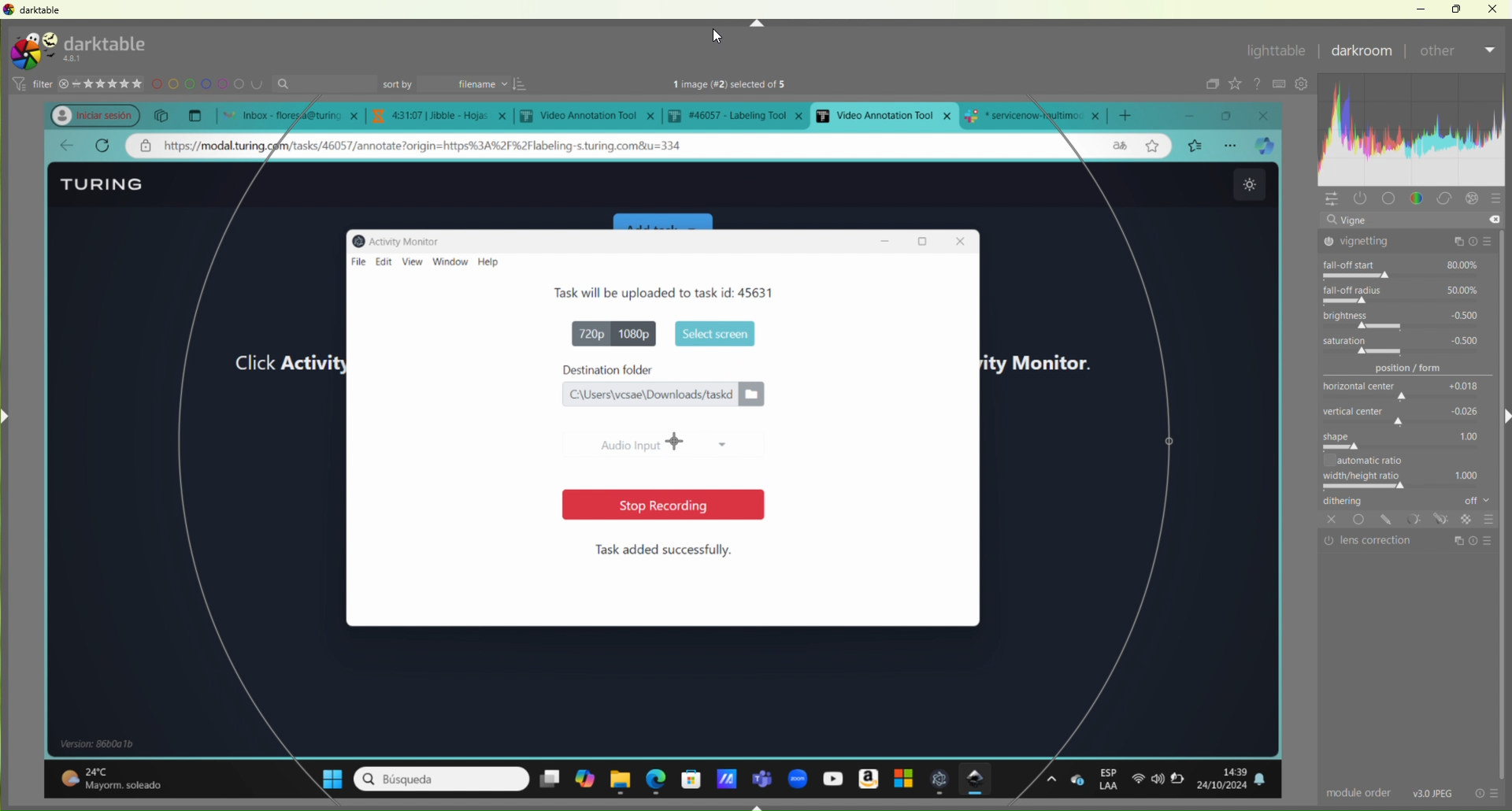 Image resolution: width=1512 pixels, height=811 pixels. Describe the element at coordinates (978, 780) in the screenshot. I see `darktable` at that location.